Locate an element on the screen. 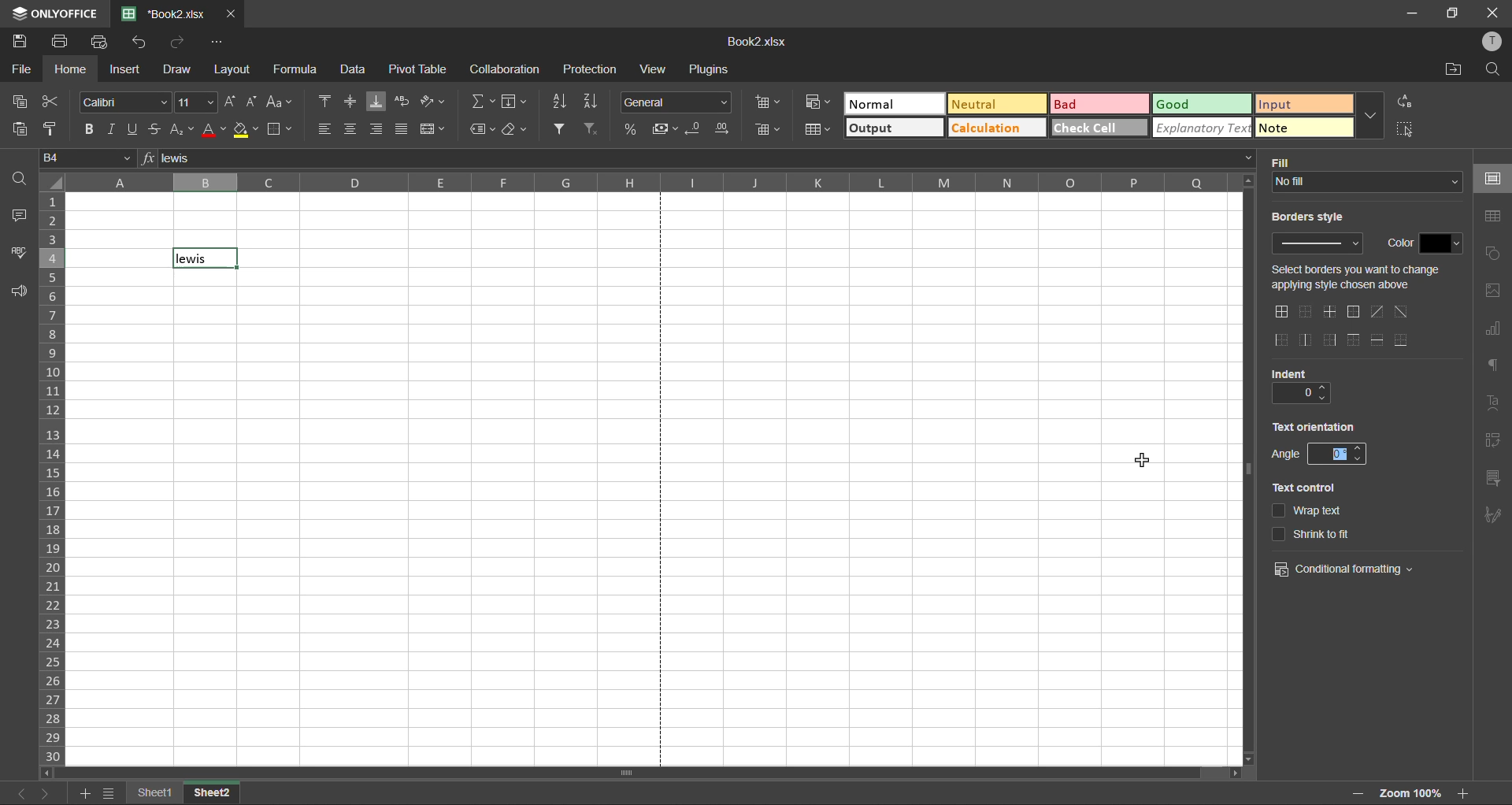 The width and height of the screenshot is (1512, 805). insert cells is located at coordinates (771, 104).